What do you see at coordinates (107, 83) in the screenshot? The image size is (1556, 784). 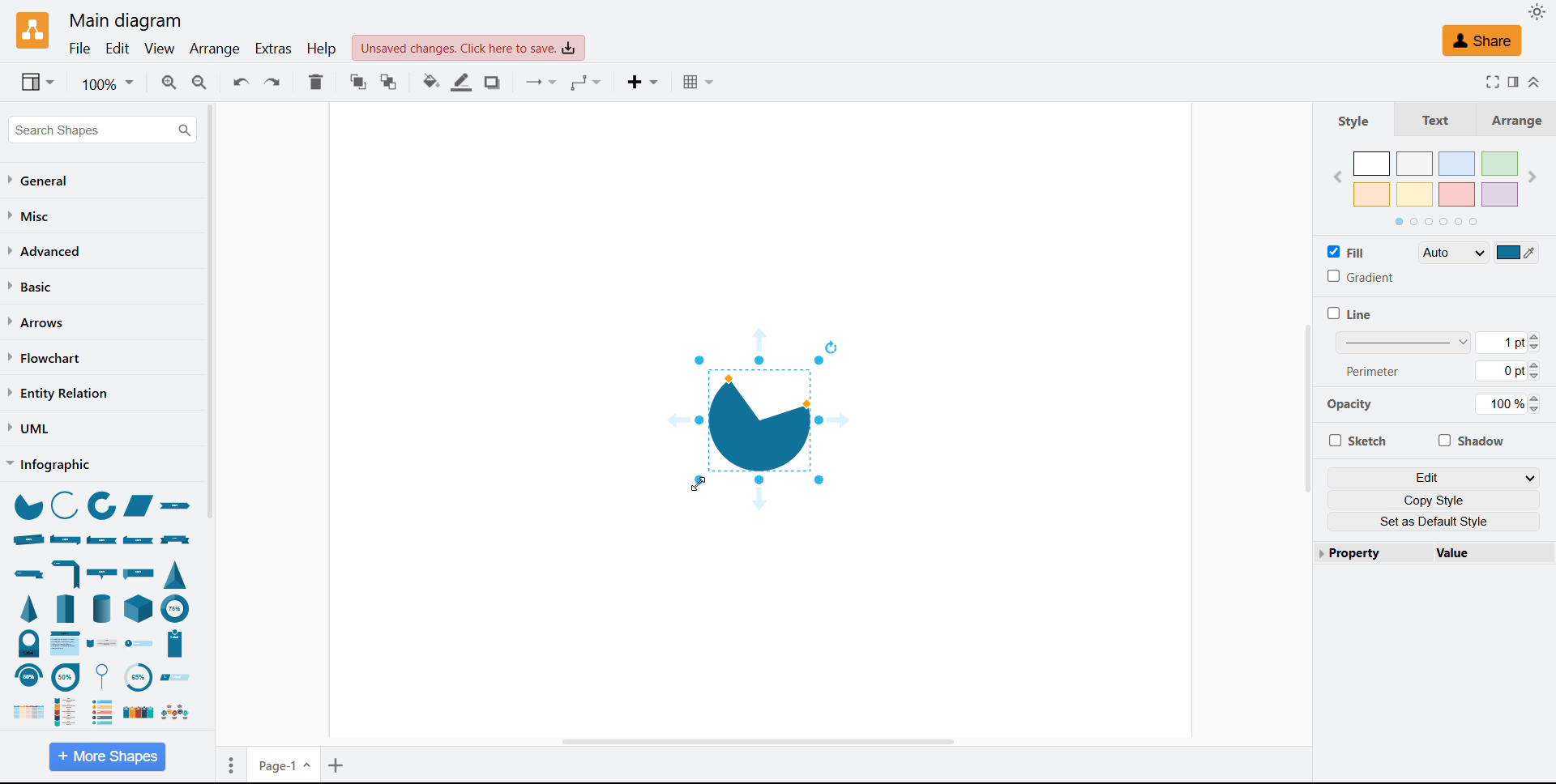 I see `Zoom level ` at bounding box center [107, 83].